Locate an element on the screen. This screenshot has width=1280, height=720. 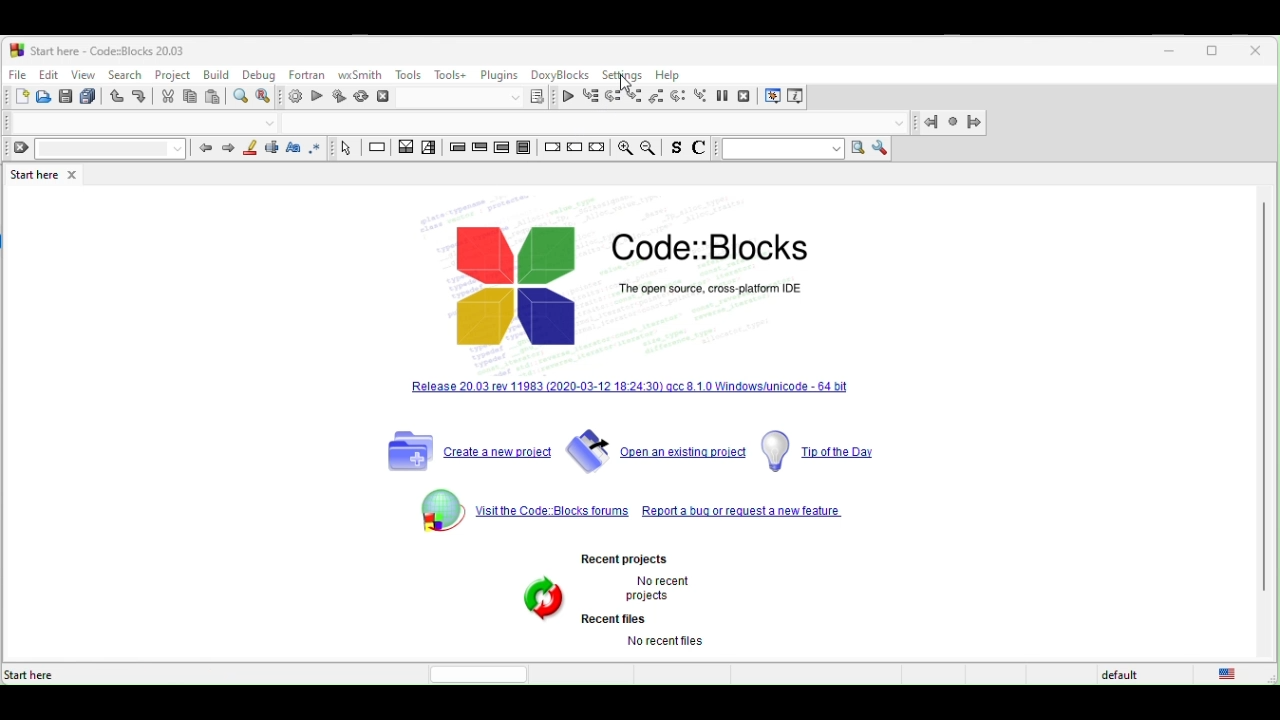
next line is located at coordinates (615, 99).